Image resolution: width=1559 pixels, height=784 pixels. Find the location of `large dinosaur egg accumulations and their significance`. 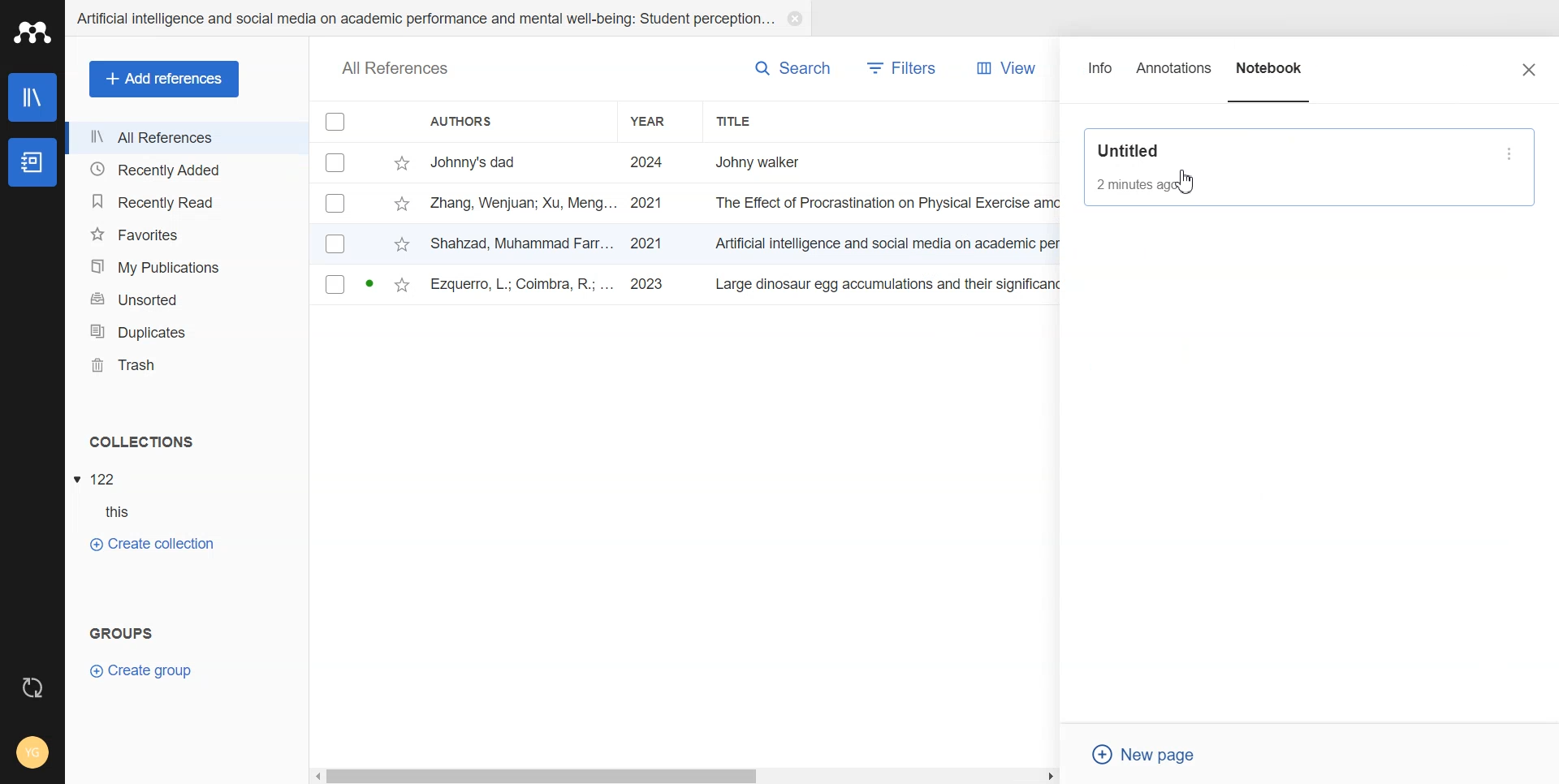

large dinosaur egg accumulations and their significance is located at coordinates (892, 287).